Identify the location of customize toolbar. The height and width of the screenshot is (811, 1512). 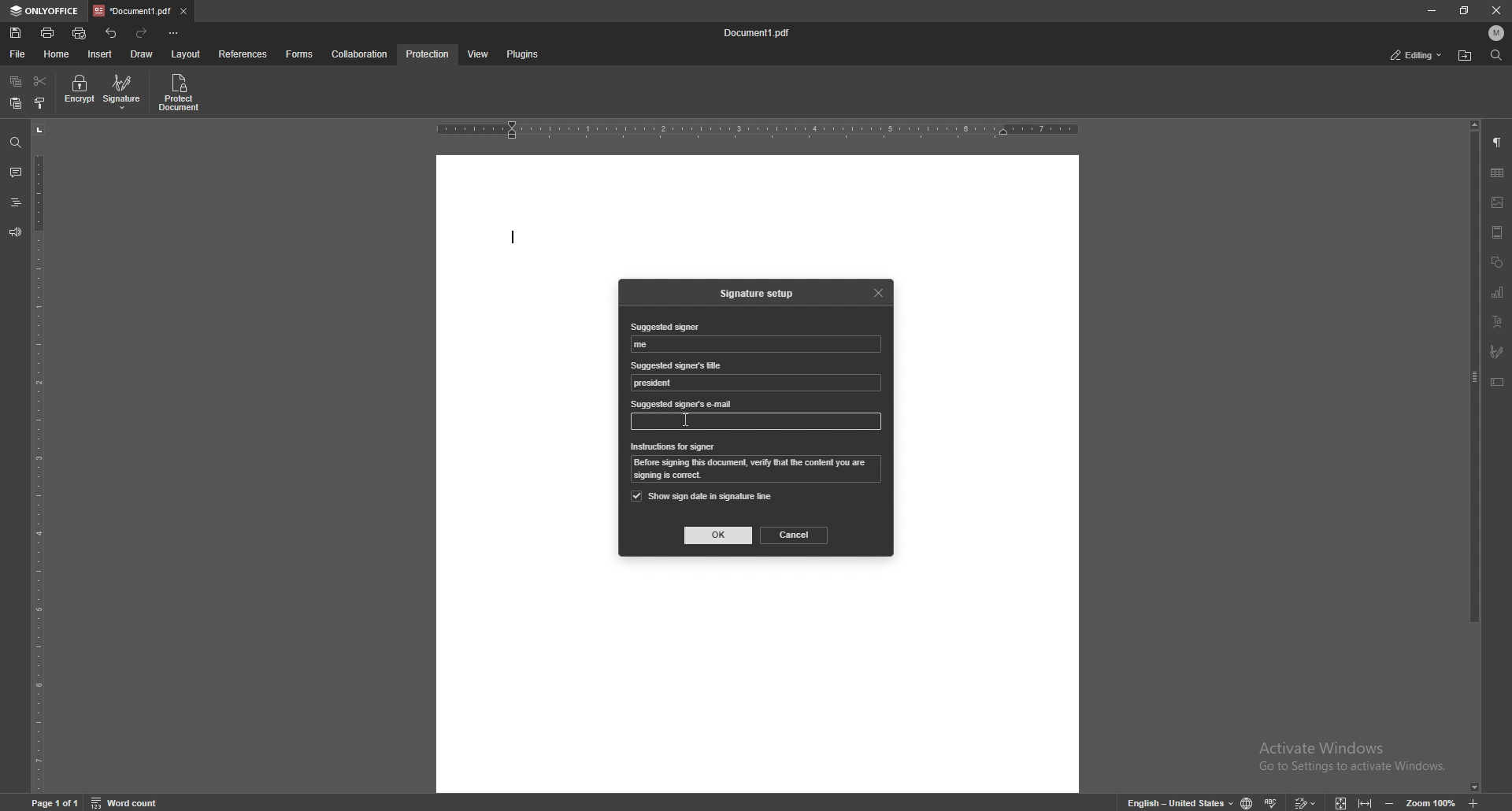
(173, 32).